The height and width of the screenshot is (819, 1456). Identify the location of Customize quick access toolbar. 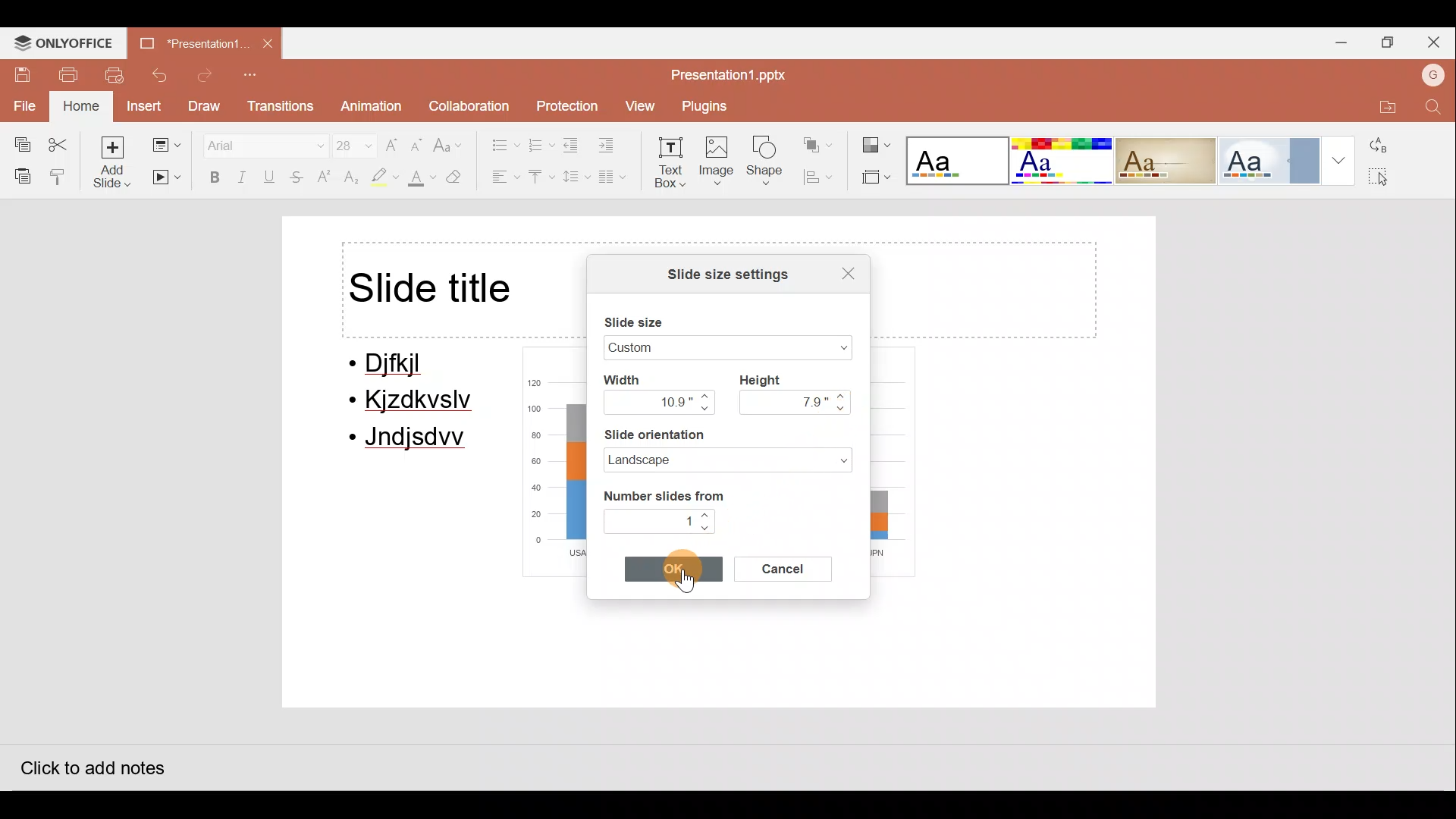
(254, 76).